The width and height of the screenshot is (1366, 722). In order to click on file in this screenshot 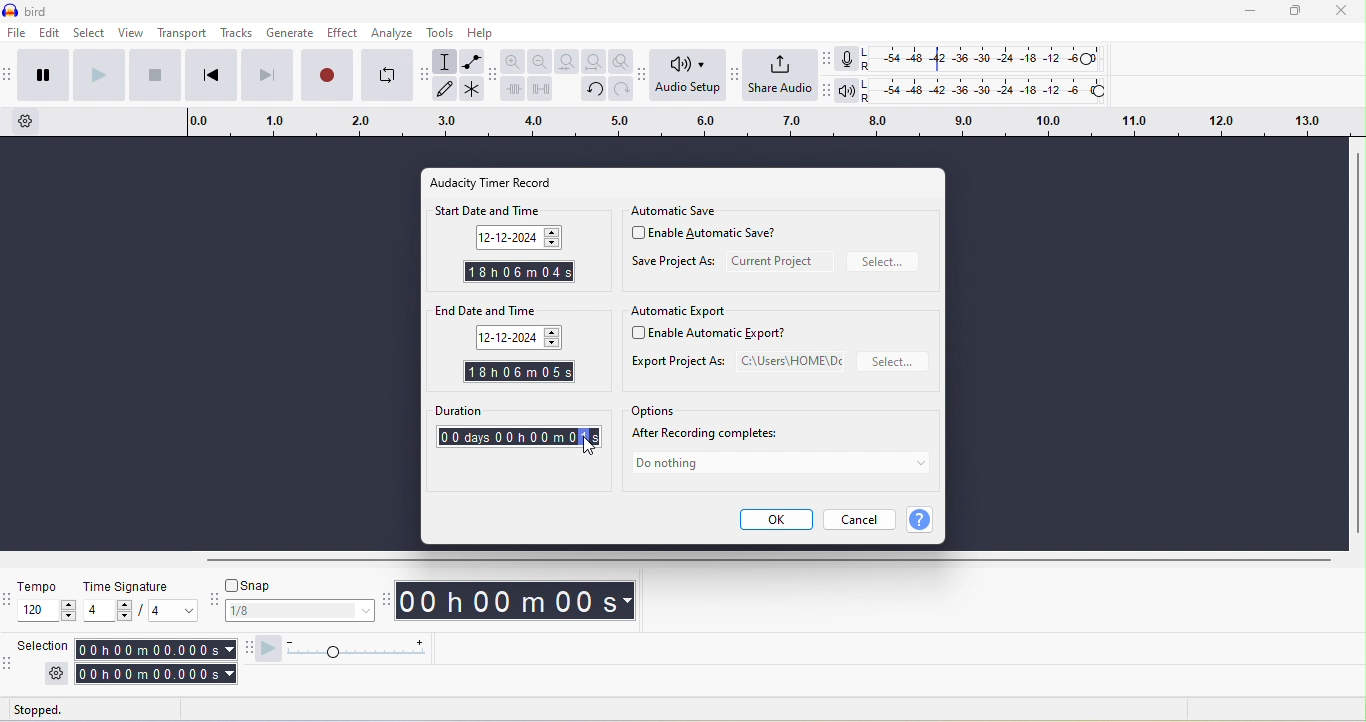, I will do `click(15, 34)`.